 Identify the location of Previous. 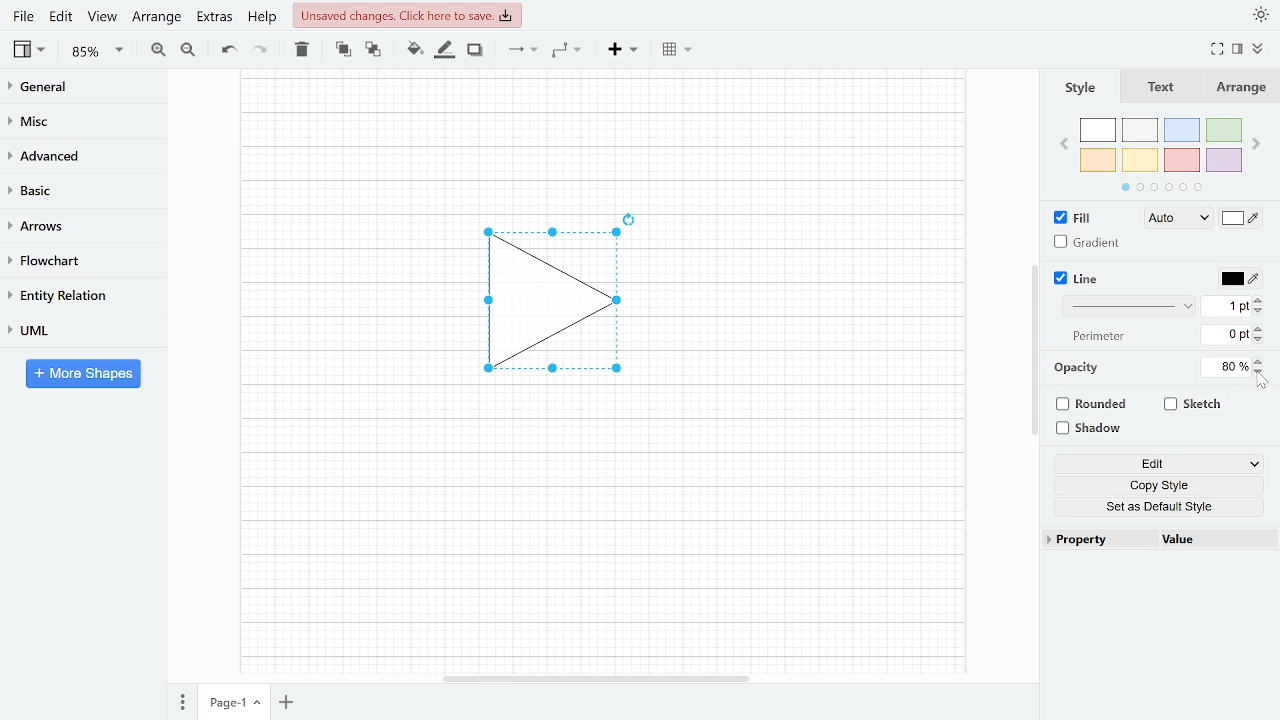
(1063, 142).